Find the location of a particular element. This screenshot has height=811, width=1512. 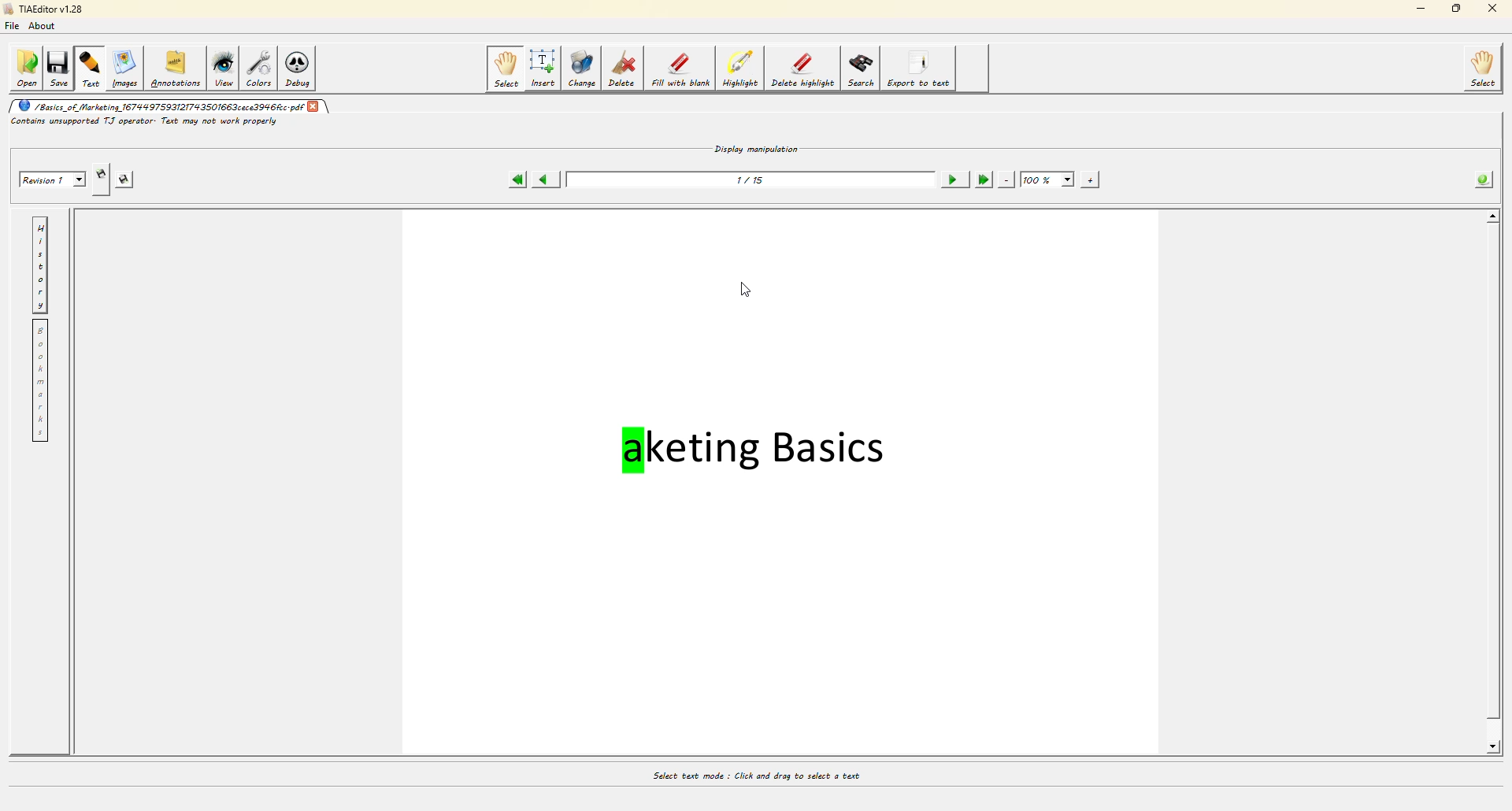

about is located at coordinates (43, 28).